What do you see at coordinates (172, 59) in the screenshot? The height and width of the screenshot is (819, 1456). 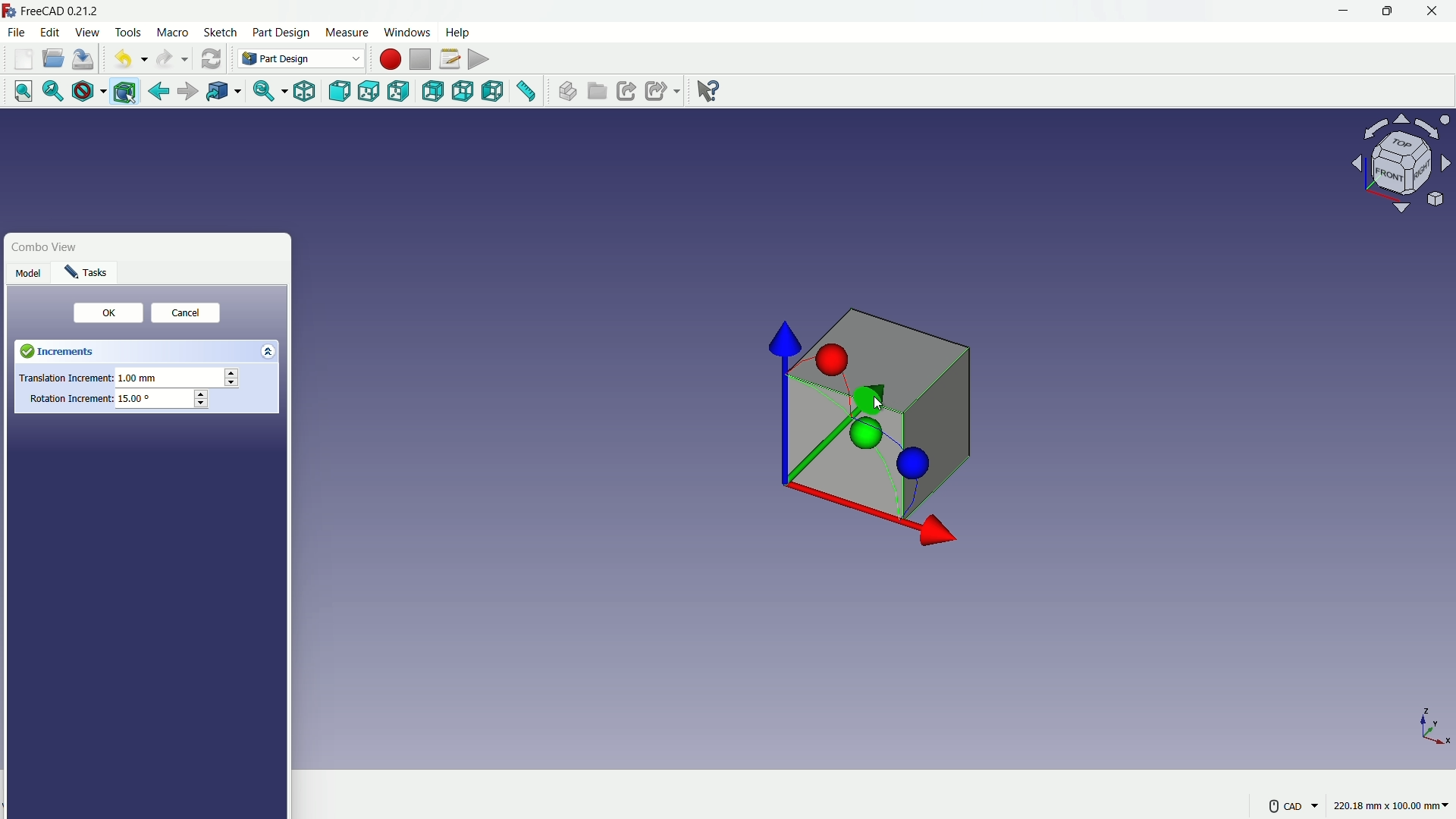 I see `redo` at bounding box center [172, 59].